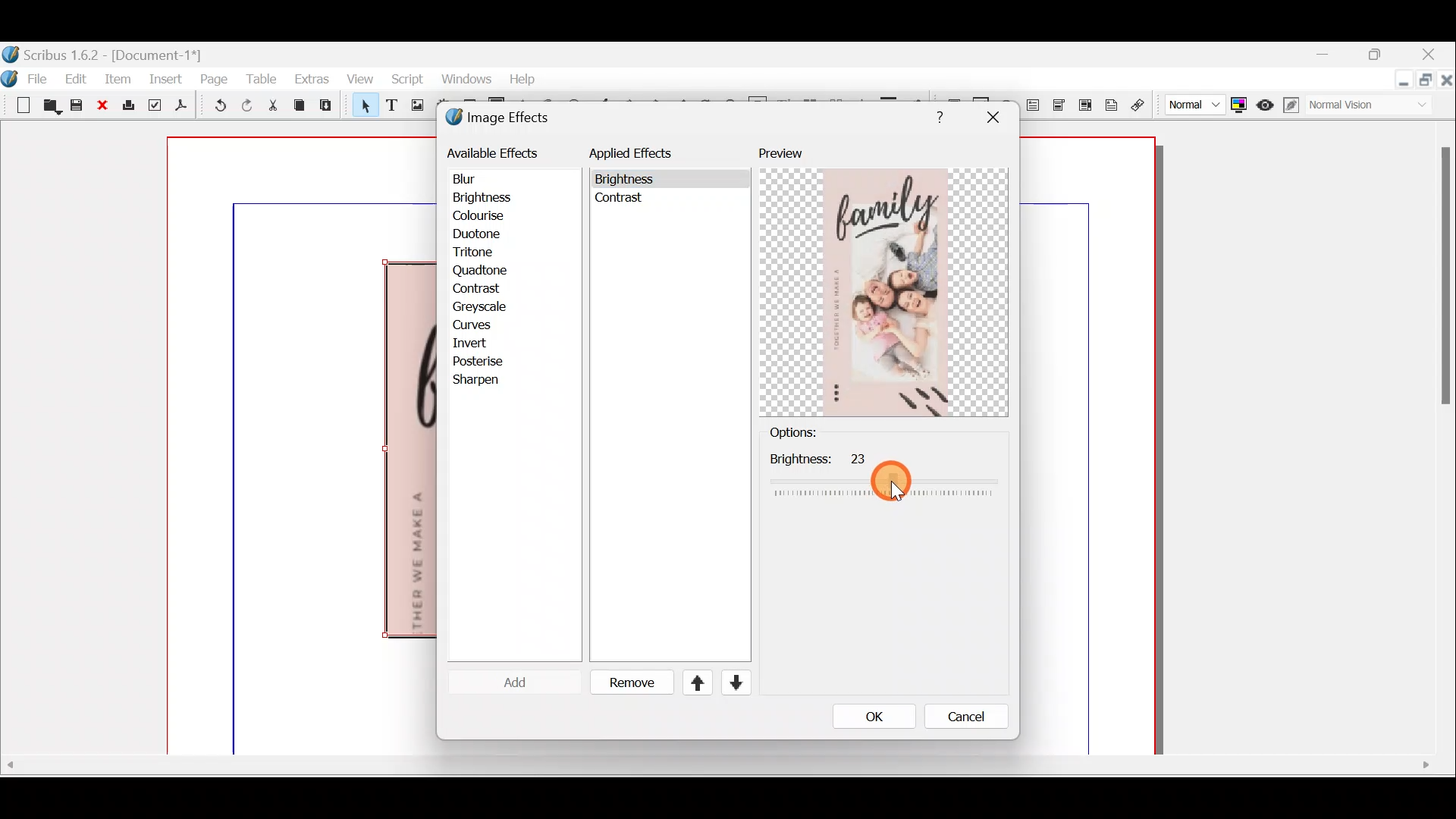 The width and height of the screenshot is (1456, 819). Describe the element at coordinates (311, 78) in the screenshot. I see `Extras` at that location.